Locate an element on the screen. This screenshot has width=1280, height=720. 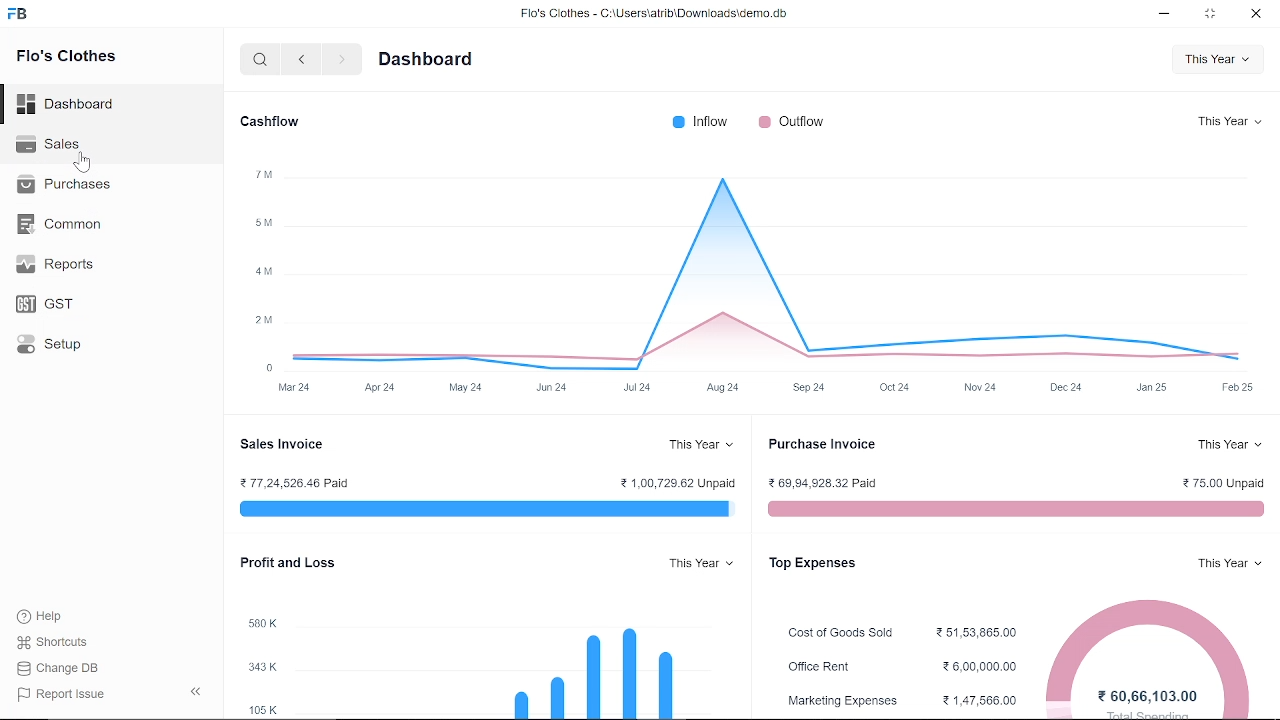
blur line is located at coordinates (486, 510).